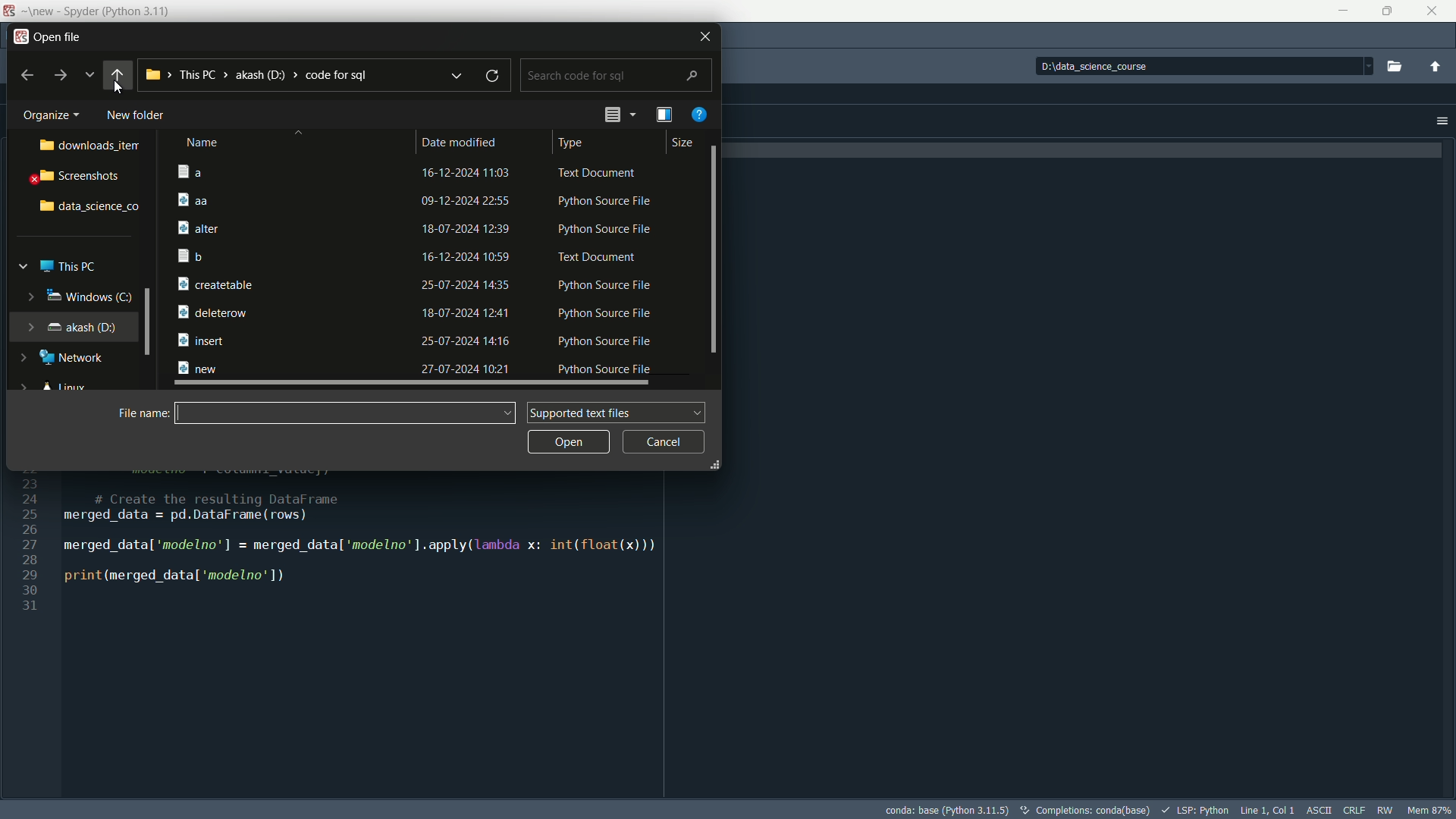  What do you see at coordinates (663, 442) in the screenshot?
I see `cancel` at bounding box center [663, 442].